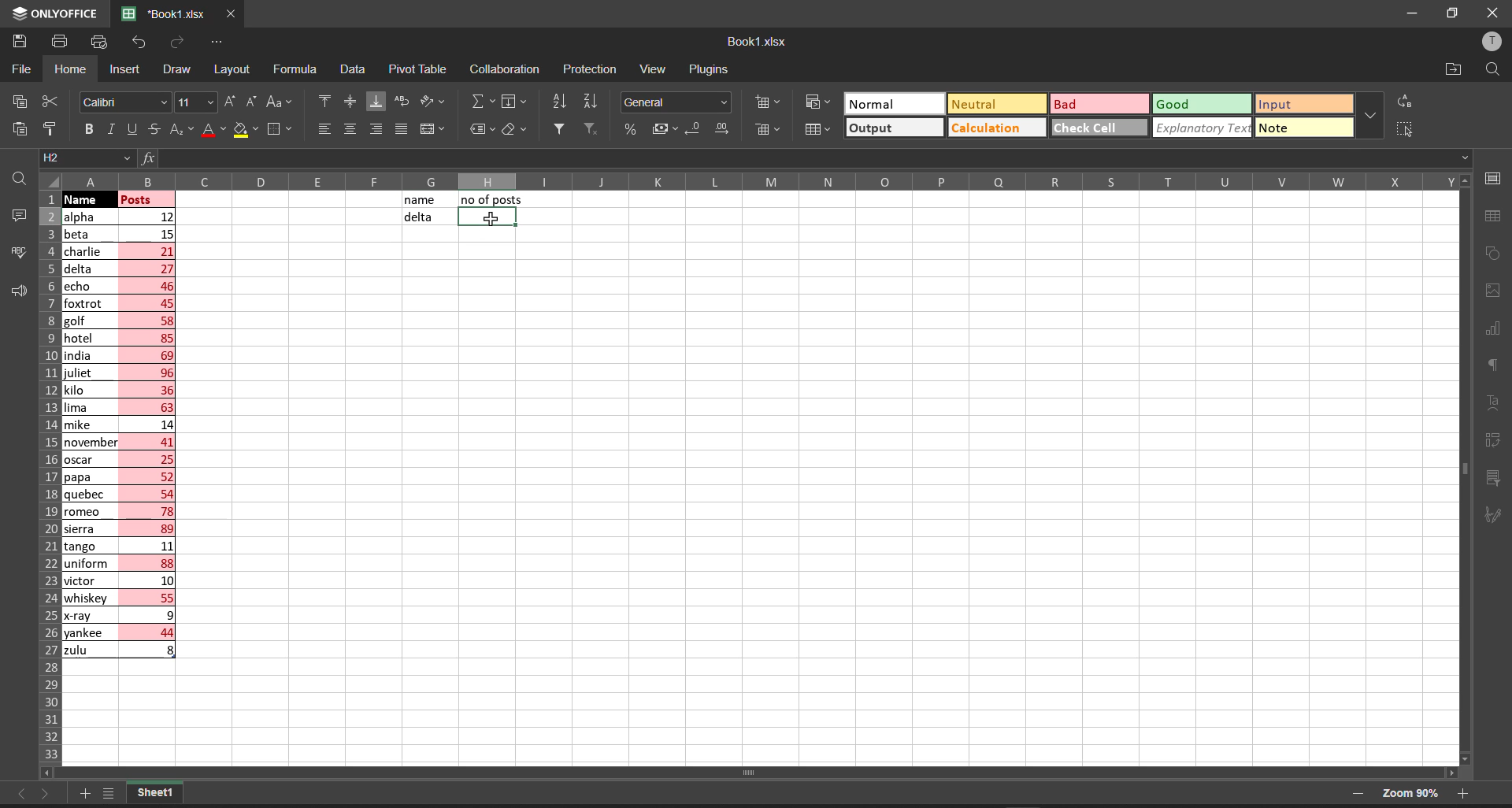 The height and width of the screenshot is (808, 1512). I want to click on increase decimal, so click(724, 131).